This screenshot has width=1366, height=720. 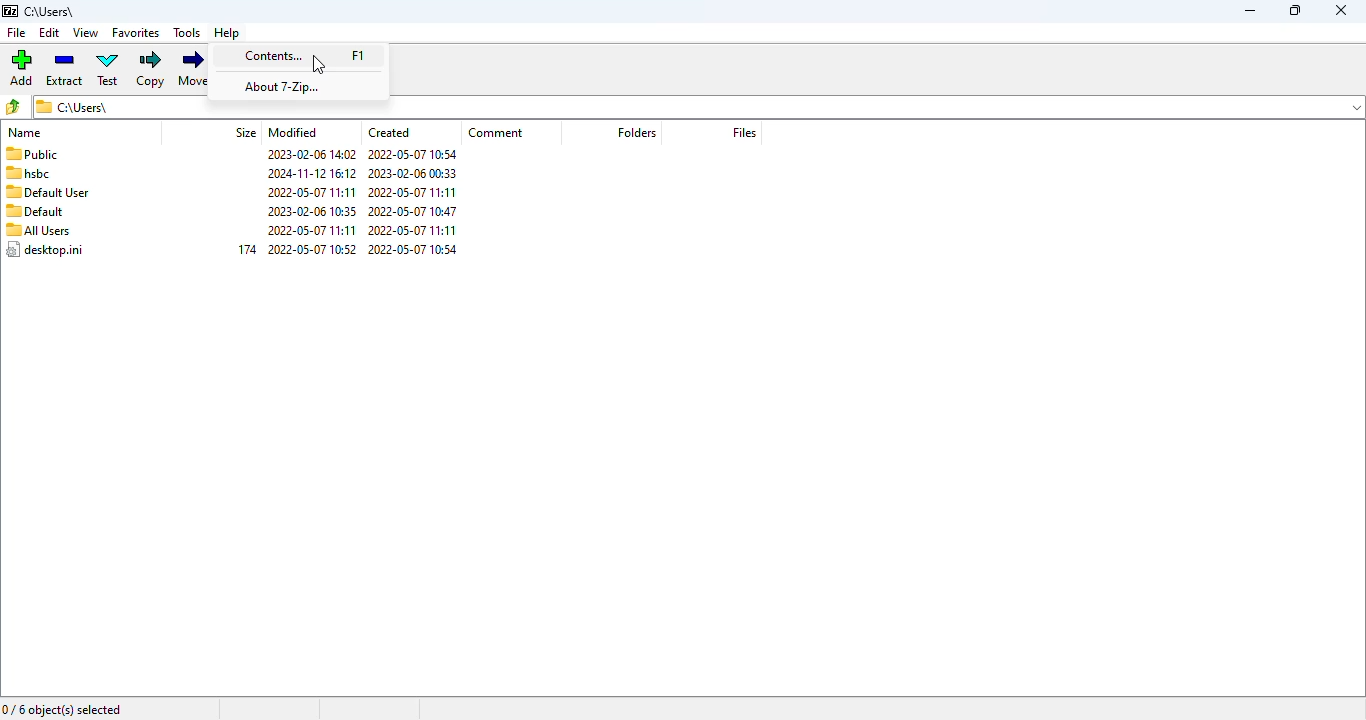 I want to click on created, so click(x=389, y=132).